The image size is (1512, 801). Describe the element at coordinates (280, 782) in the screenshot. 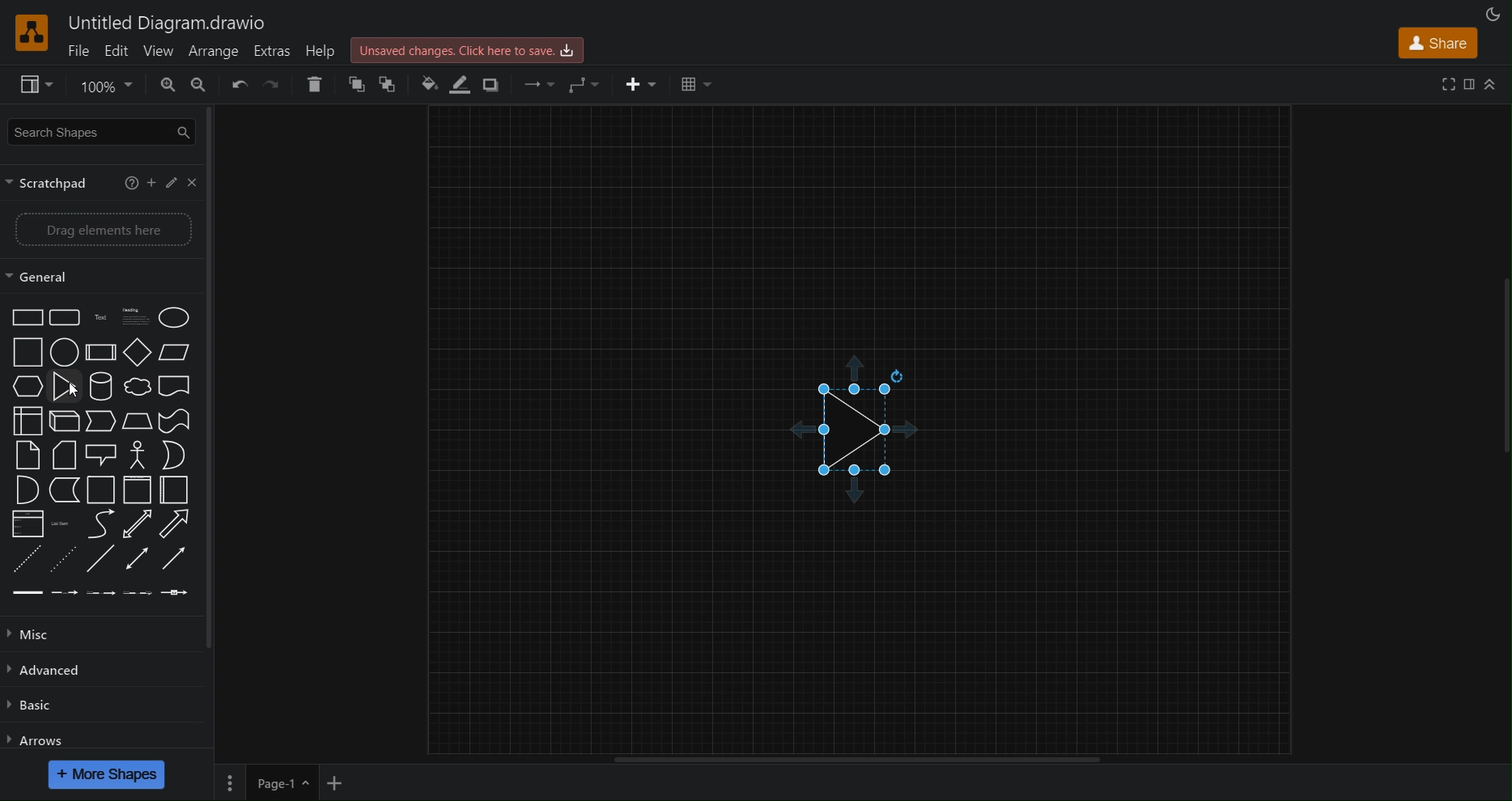

I see `Page 1` at that location.